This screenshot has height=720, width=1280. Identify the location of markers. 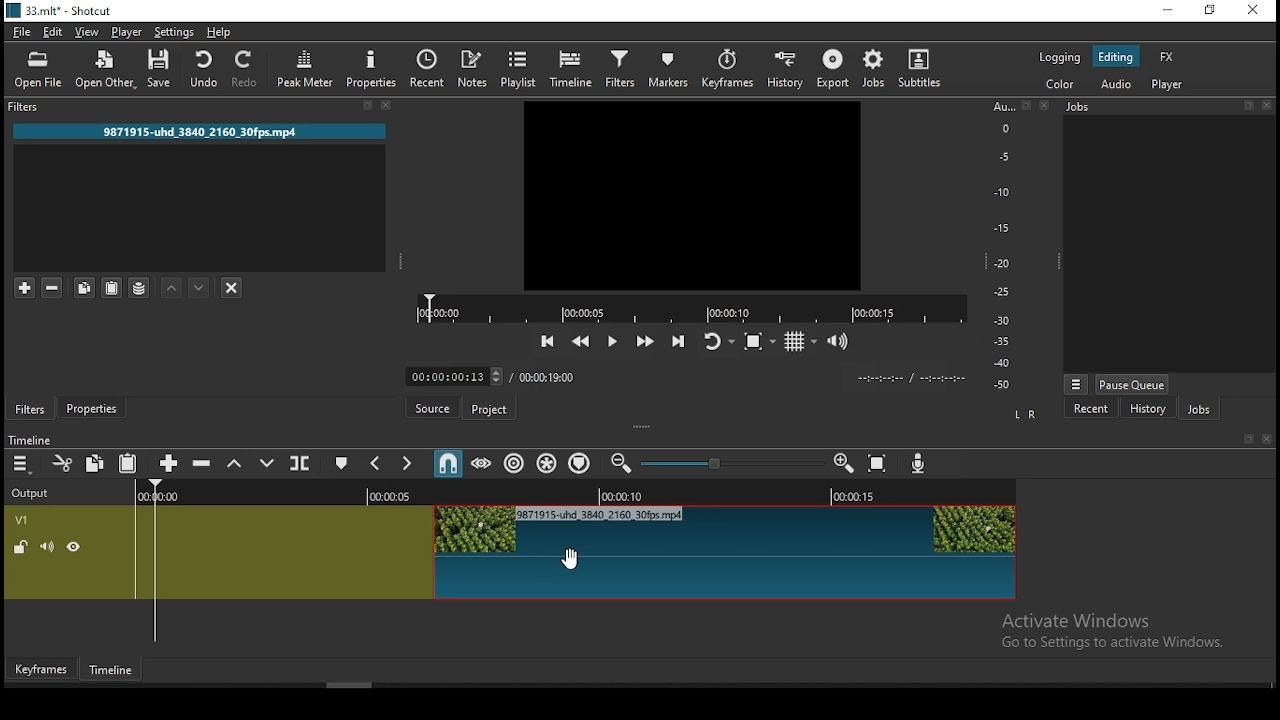
(670, 68).